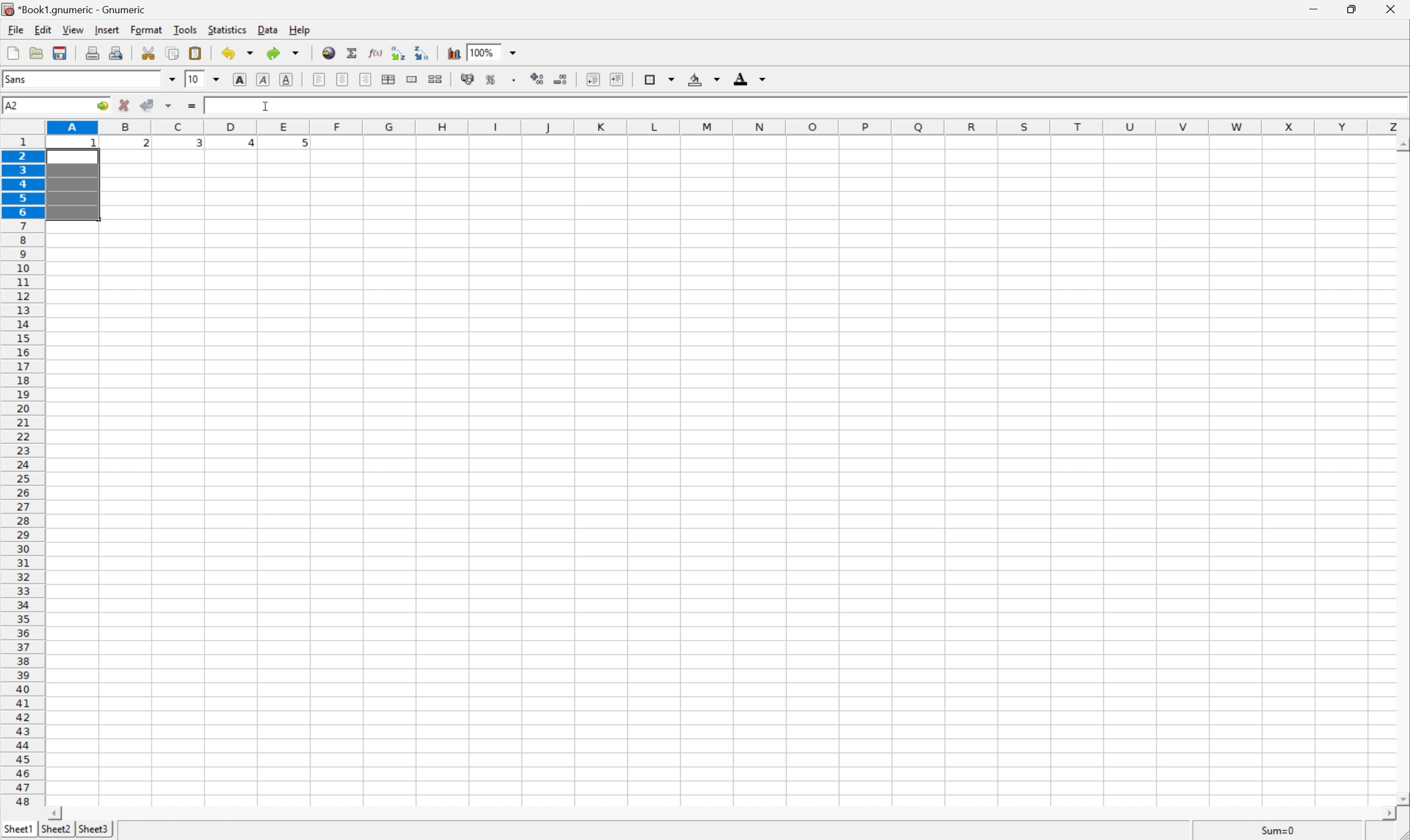 The height and width of the screenshot is (840, 1410). I want to click on selected cells, so click(74, 187).